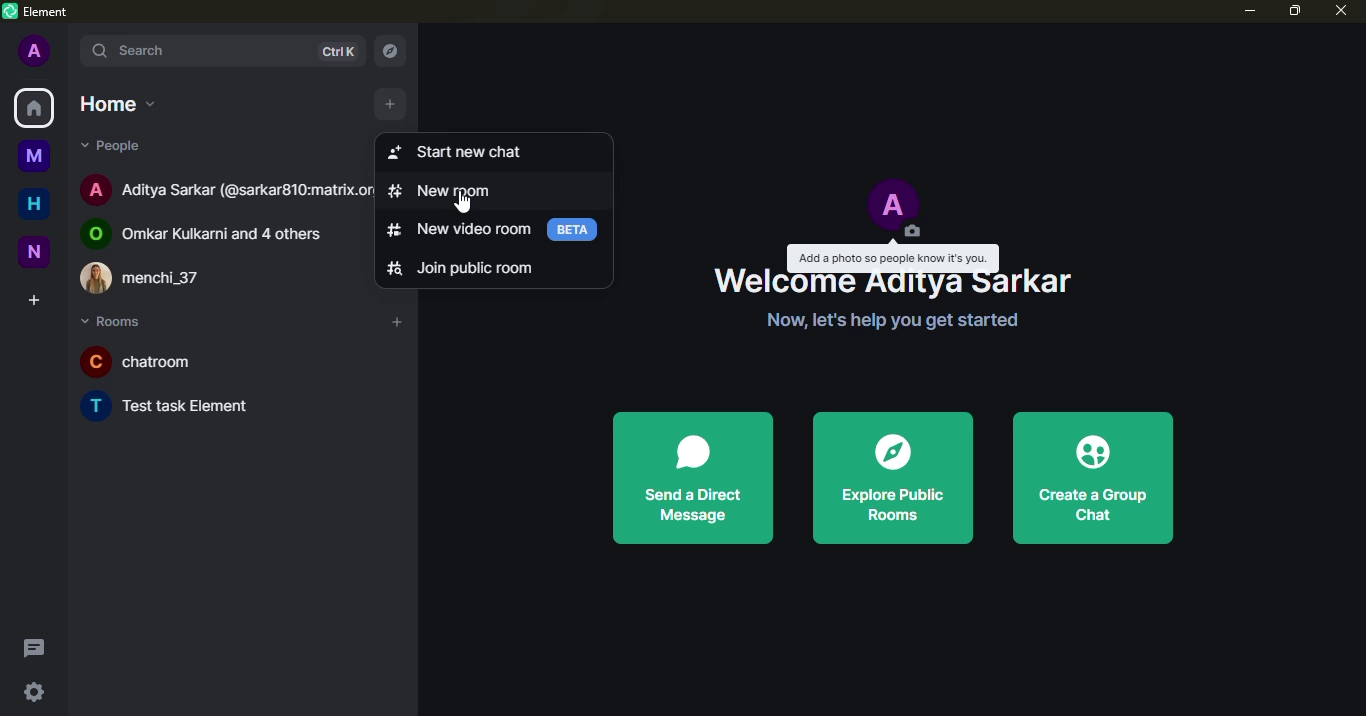 The image size is (1366, 716). What do you see at coordinates (205, 234) in the screenshot?
I see `Omkar Kulkarni and 4 others` at bounding box center [205, 234].